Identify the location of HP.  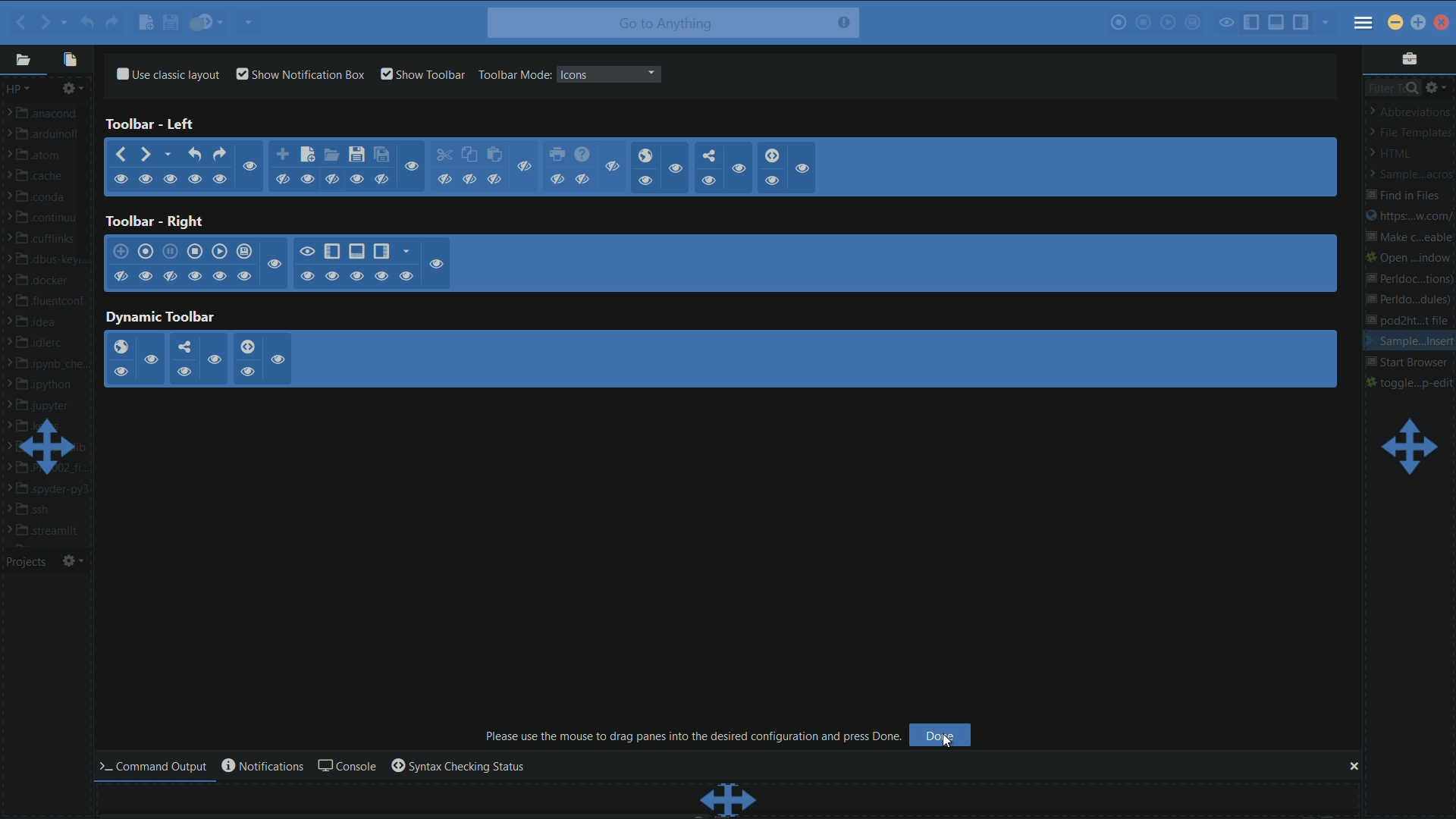
(18, 89).